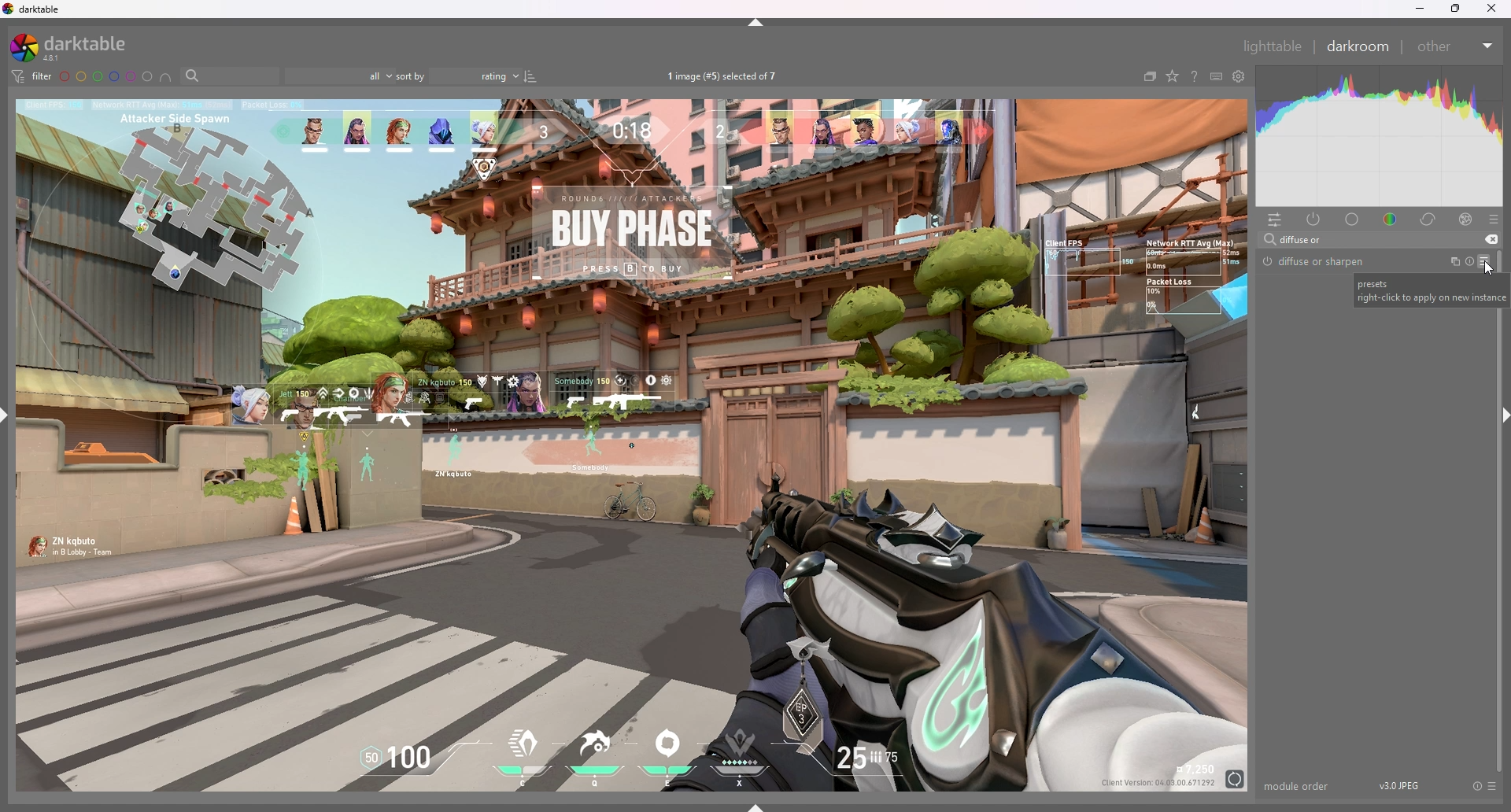  What do you see at coordinates (166, 77) in the screenshot?
I see `include color label` at bounding box center [166, 77].